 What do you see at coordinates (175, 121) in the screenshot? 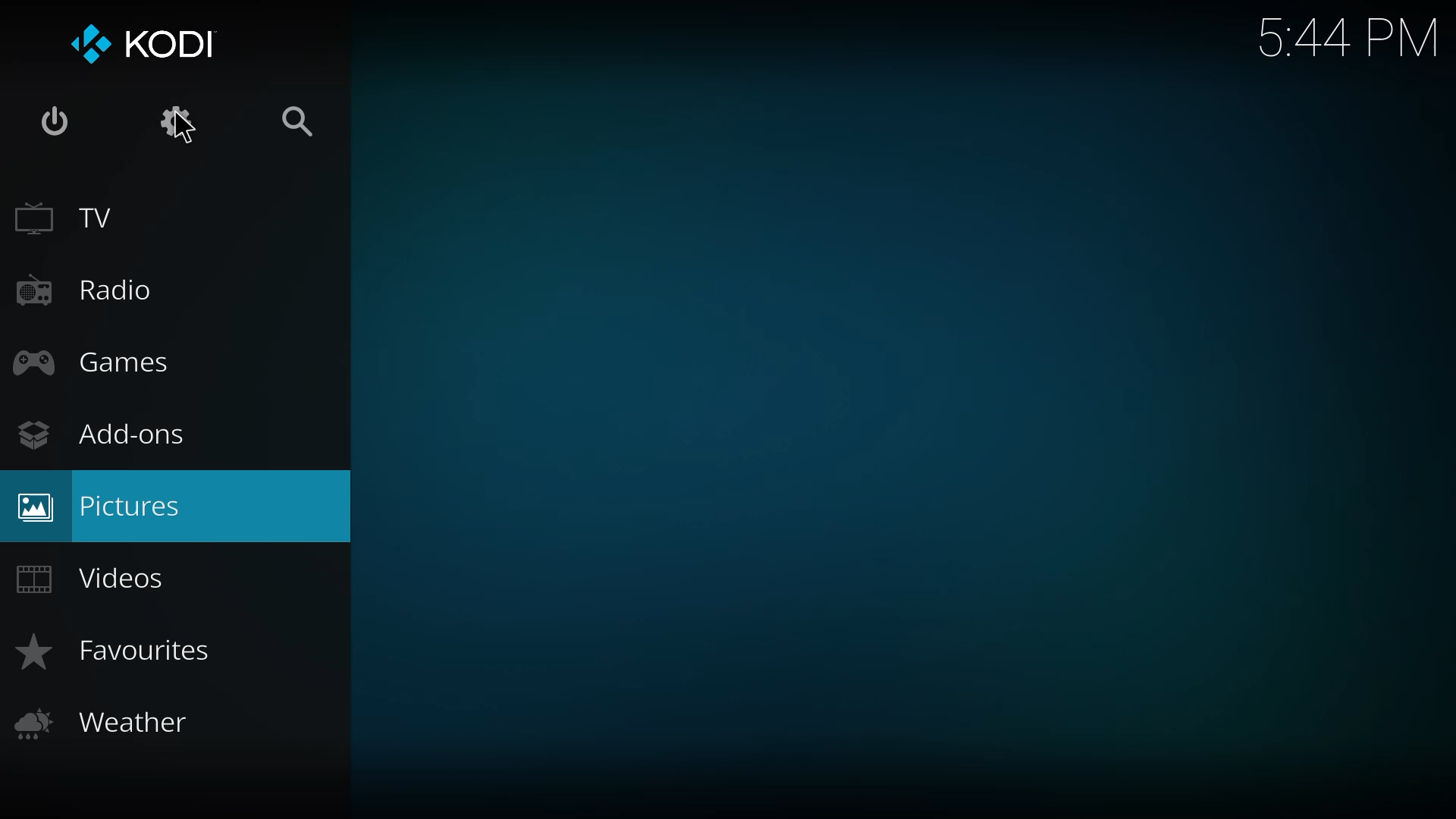
I see `settings` at bounding box center [175, 121].